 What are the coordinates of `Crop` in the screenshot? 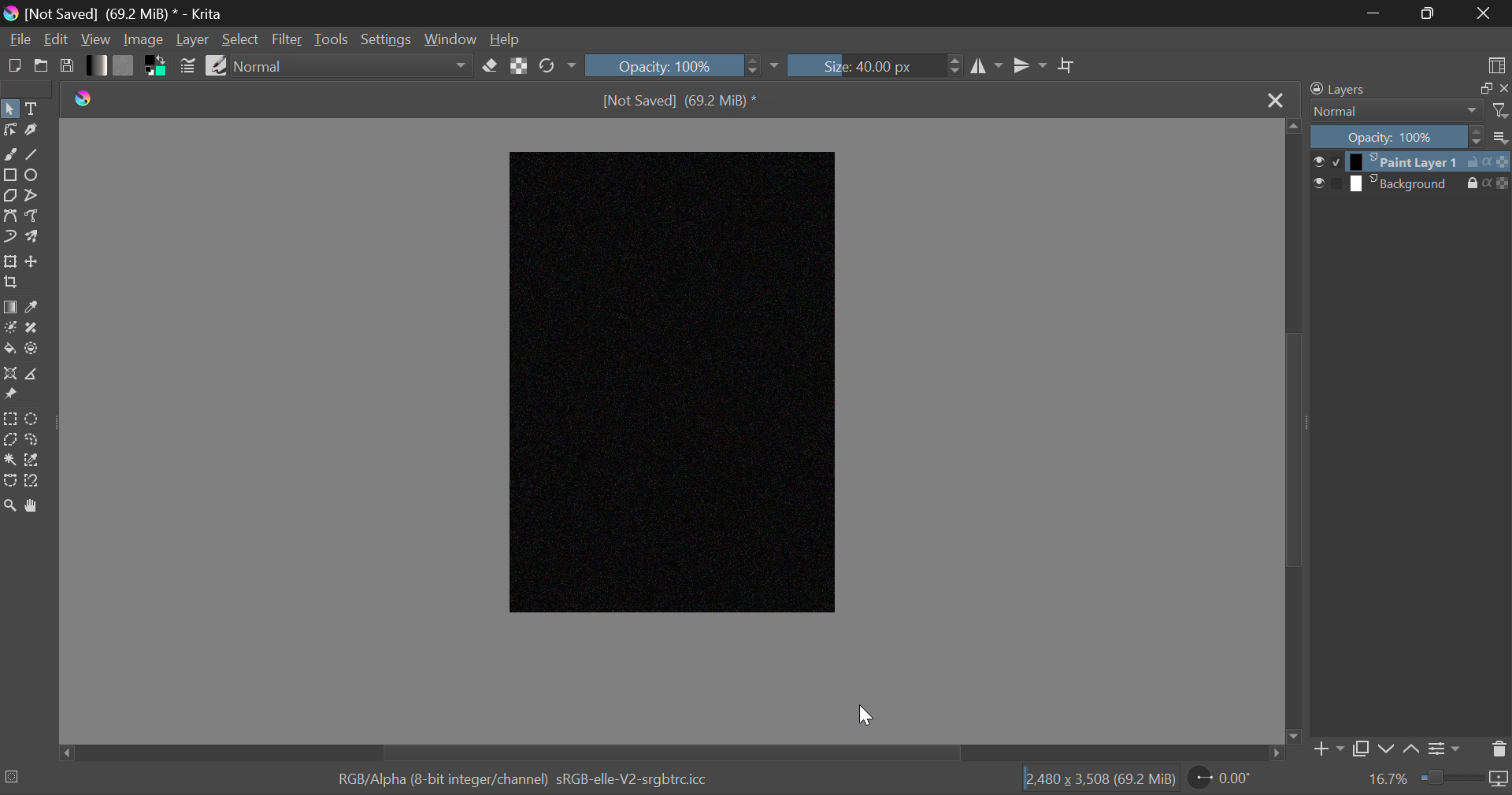 It's located at (9, 283).